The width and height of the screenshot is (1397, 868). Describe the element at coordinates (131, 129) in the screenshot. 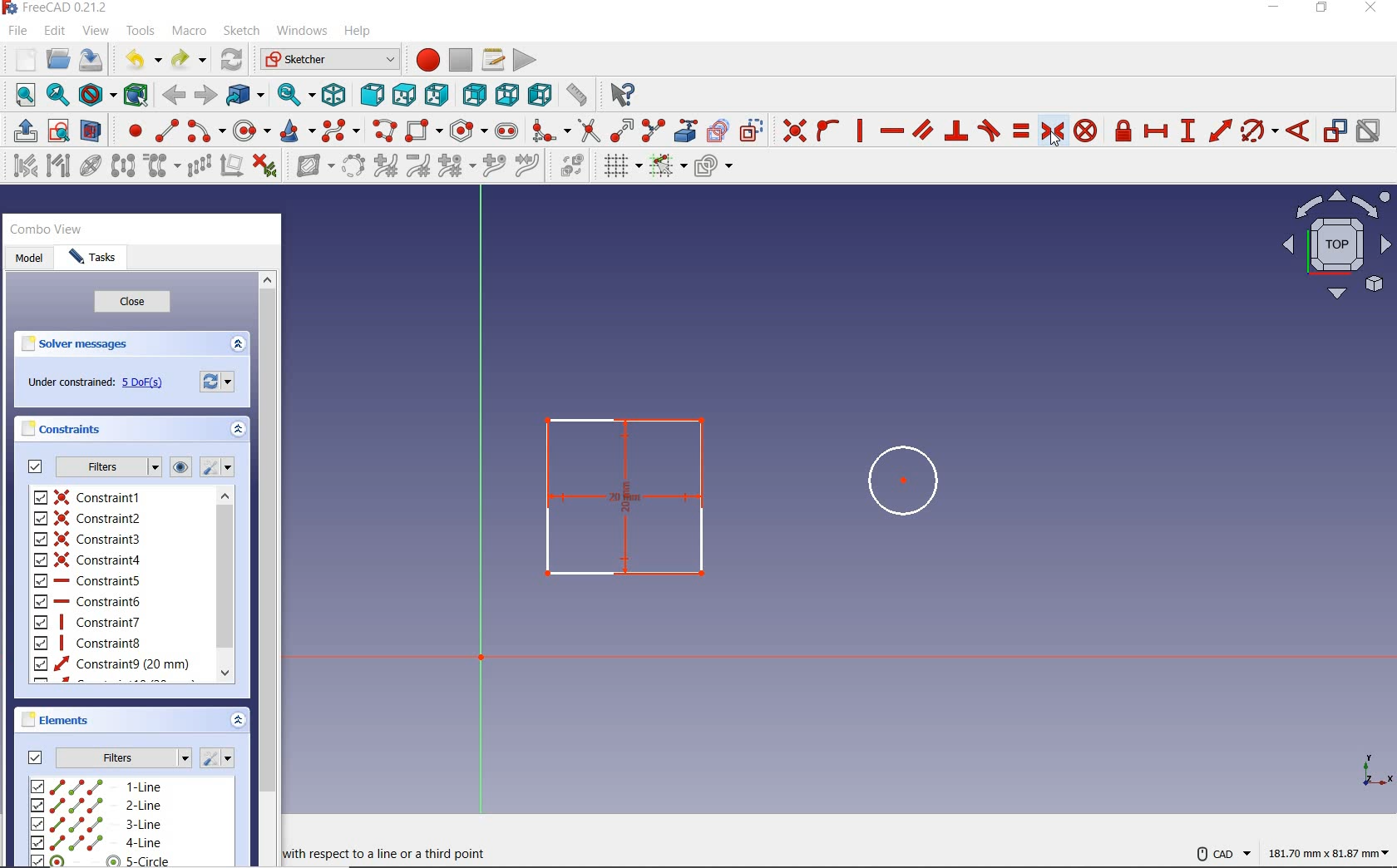

I see `create point` at that location.